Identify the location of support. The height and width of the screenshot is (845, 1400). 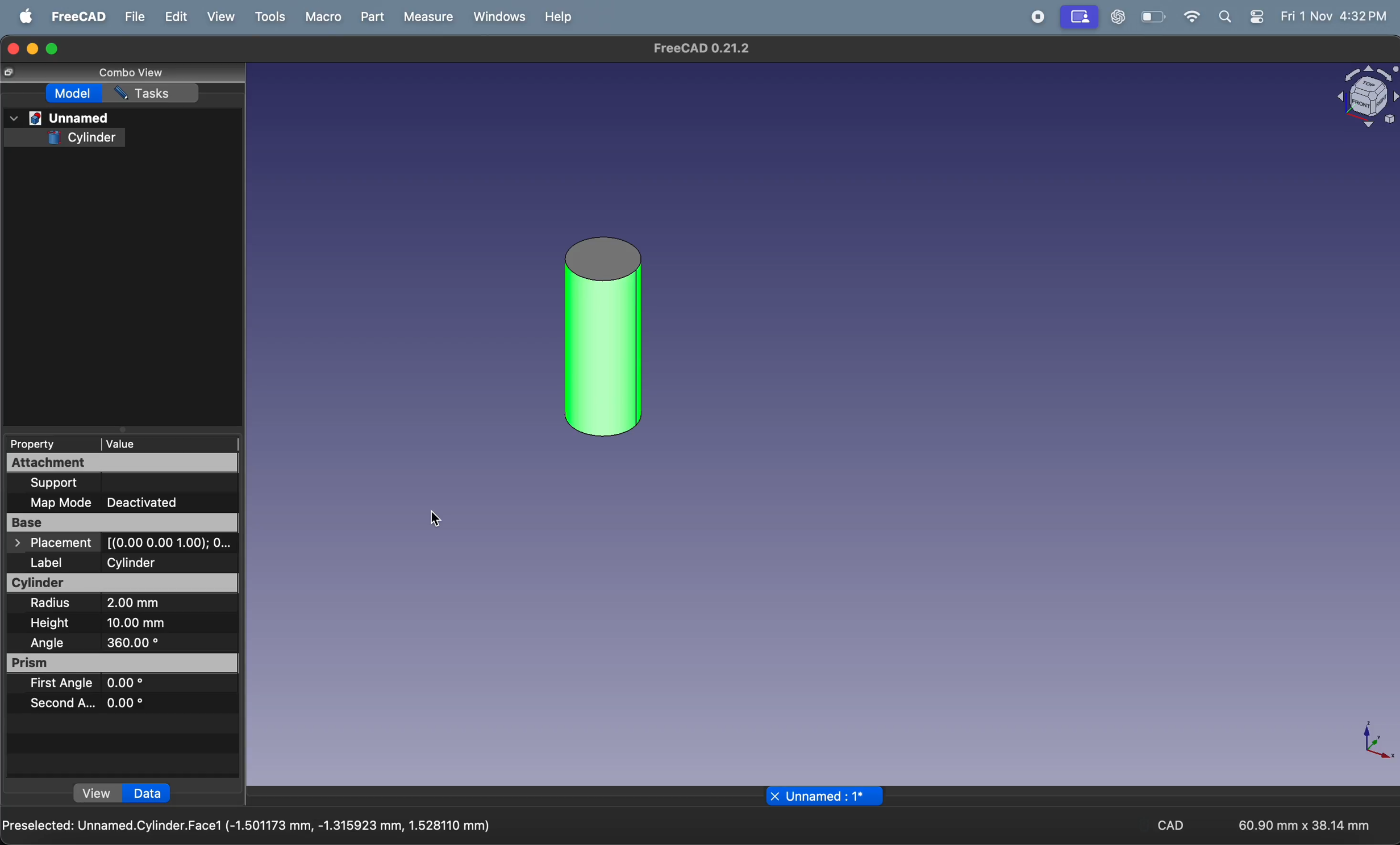
(102, 482).